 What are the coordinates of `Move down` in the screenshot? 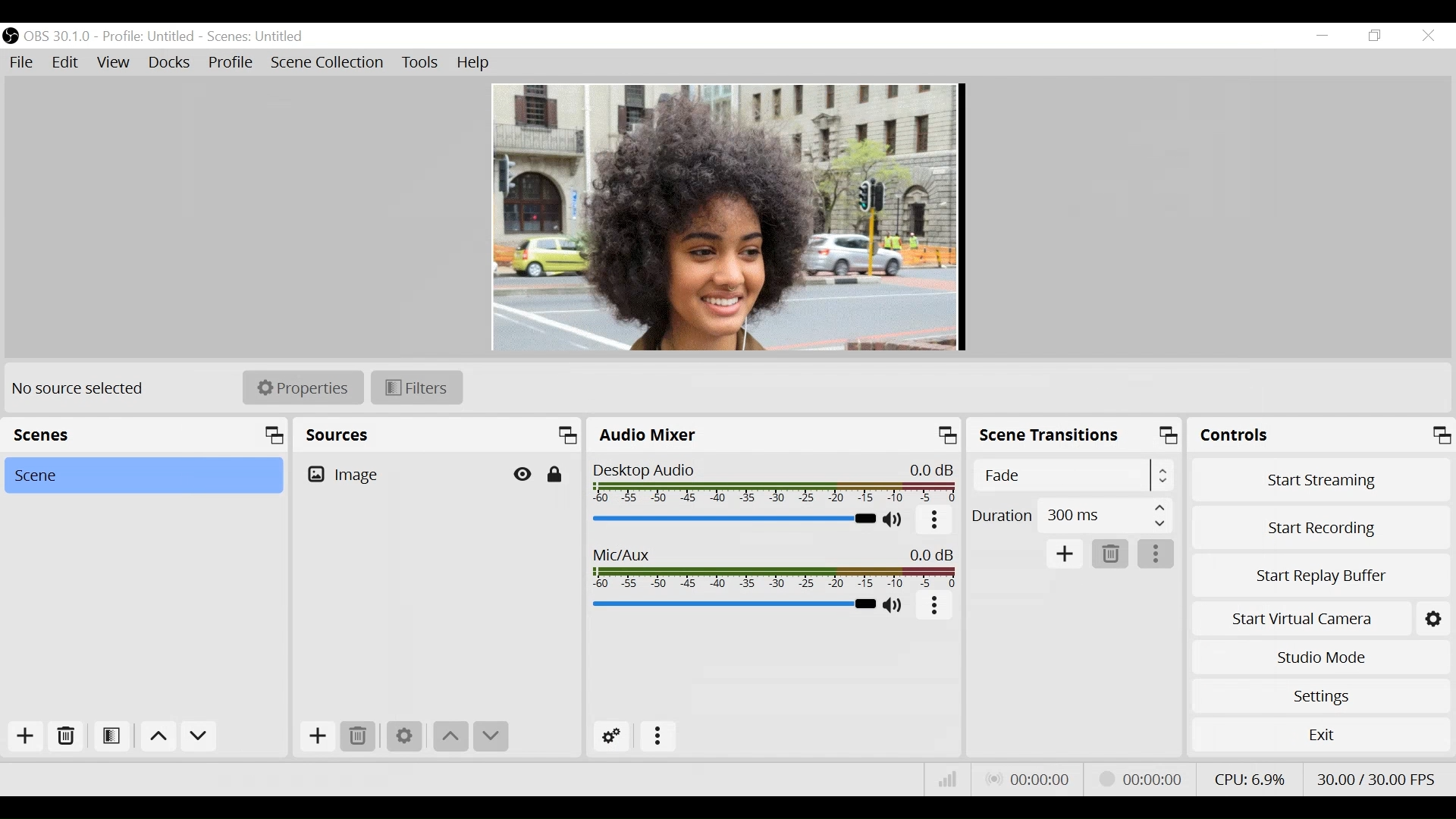 It's located at (490, 736).